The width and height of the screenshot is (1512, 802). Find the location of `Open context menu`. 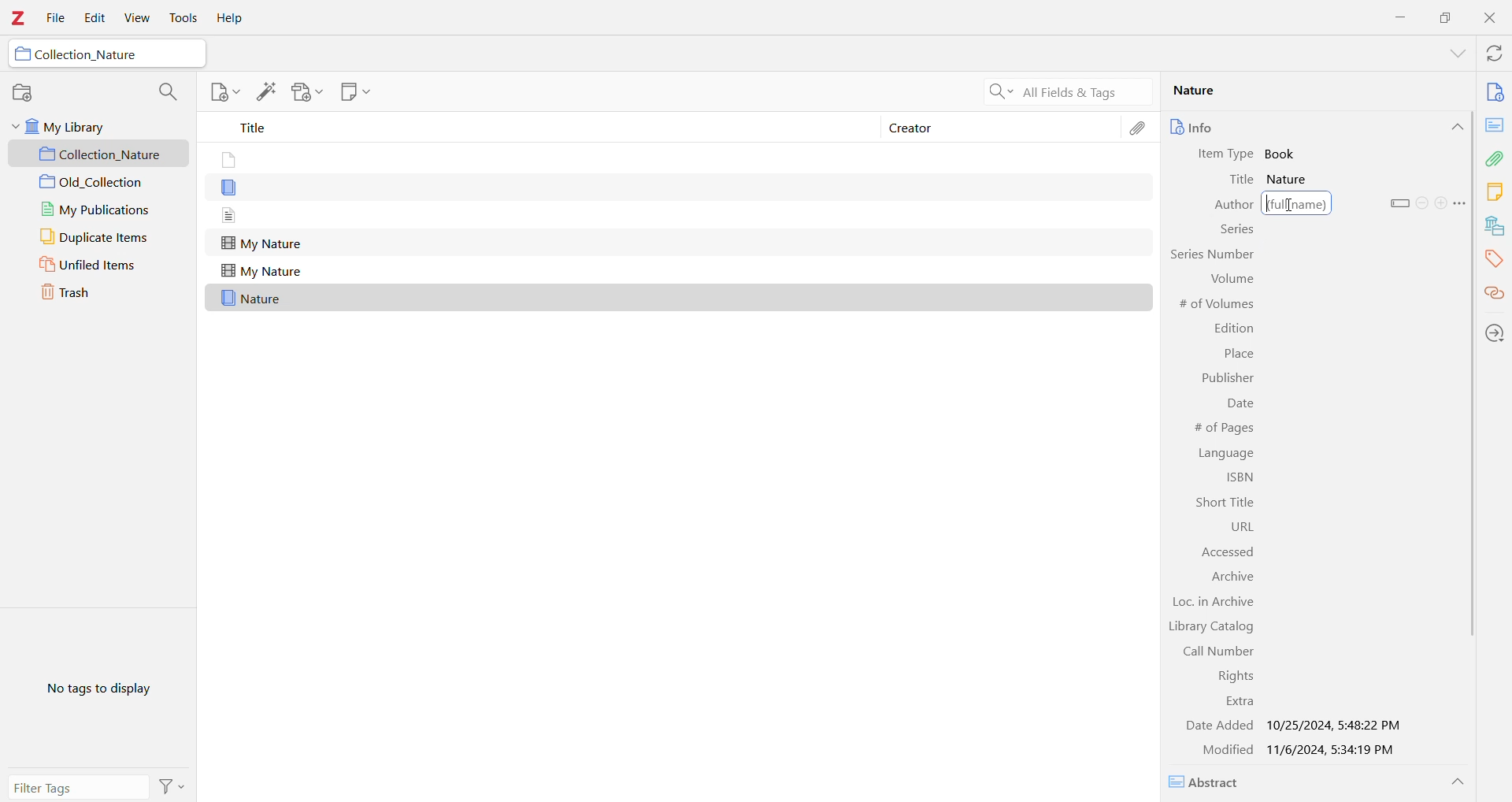

Open context menu is located at coordinates (1460, 203).